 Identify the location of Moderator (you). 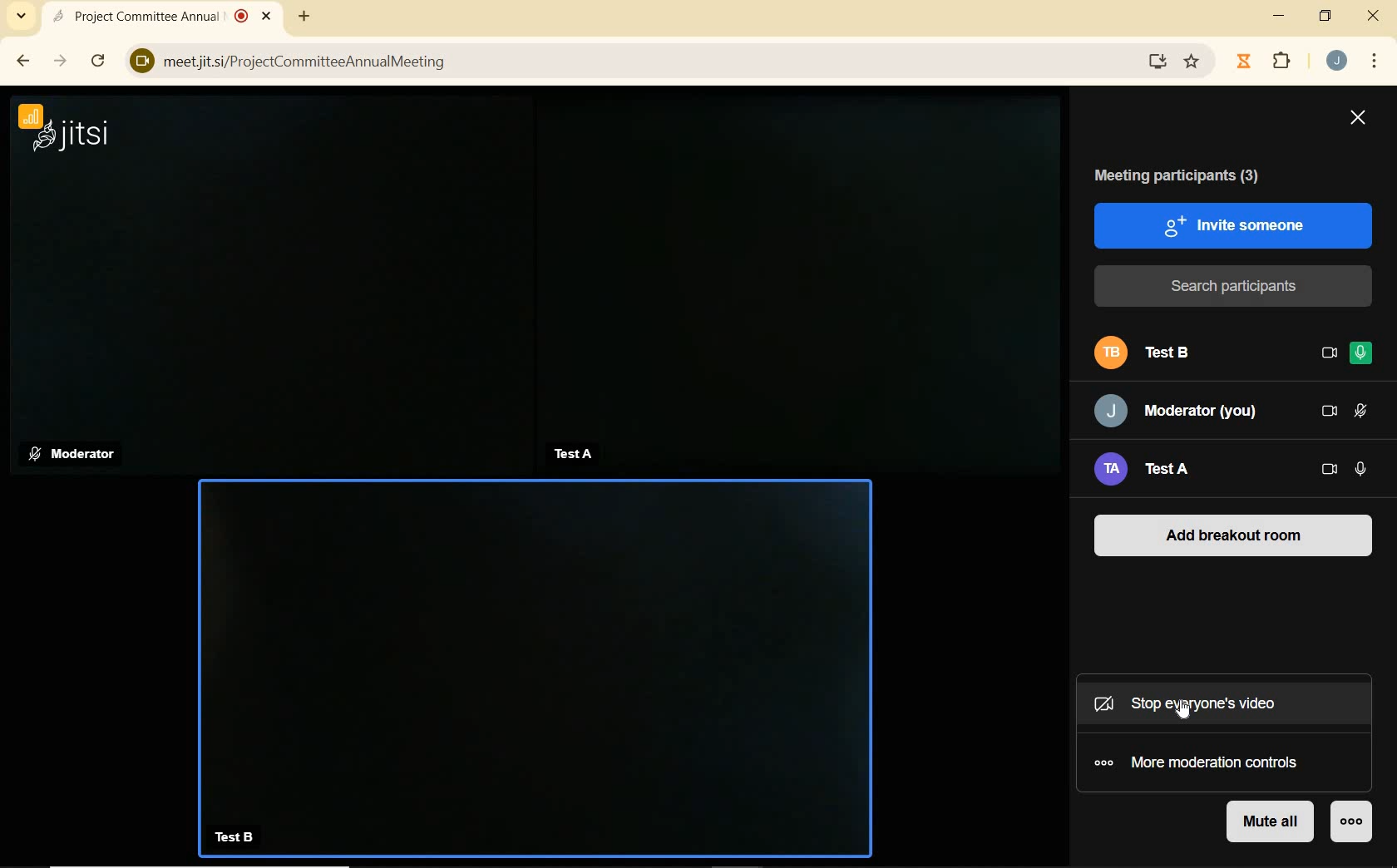
(1179, 411).